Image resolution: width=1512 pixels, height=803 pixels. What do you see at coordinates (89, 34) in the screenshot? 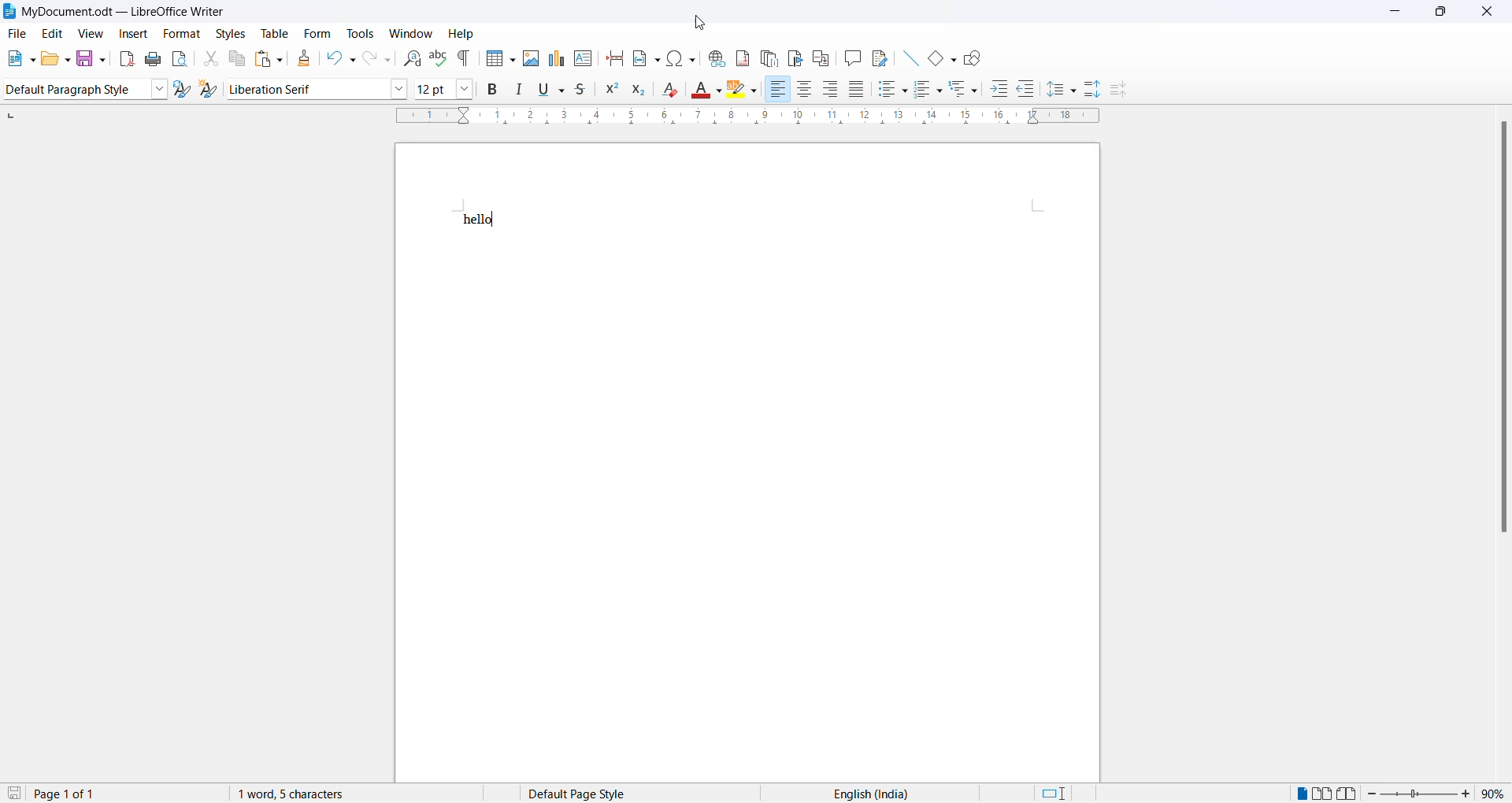
I see `View` at bounding box center [89, 34].